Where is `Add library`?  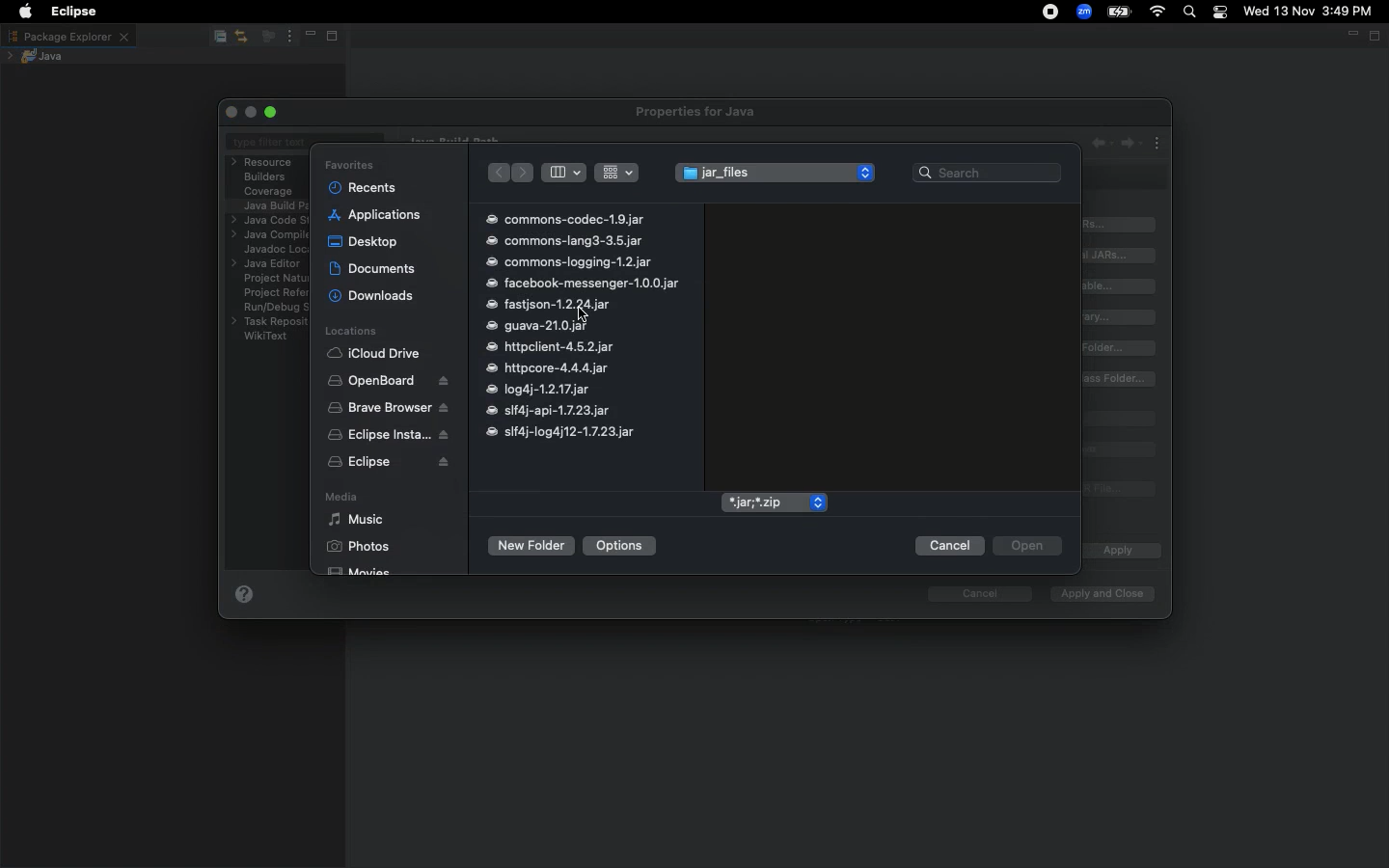 Add library is located at coordinates (1123, 317).